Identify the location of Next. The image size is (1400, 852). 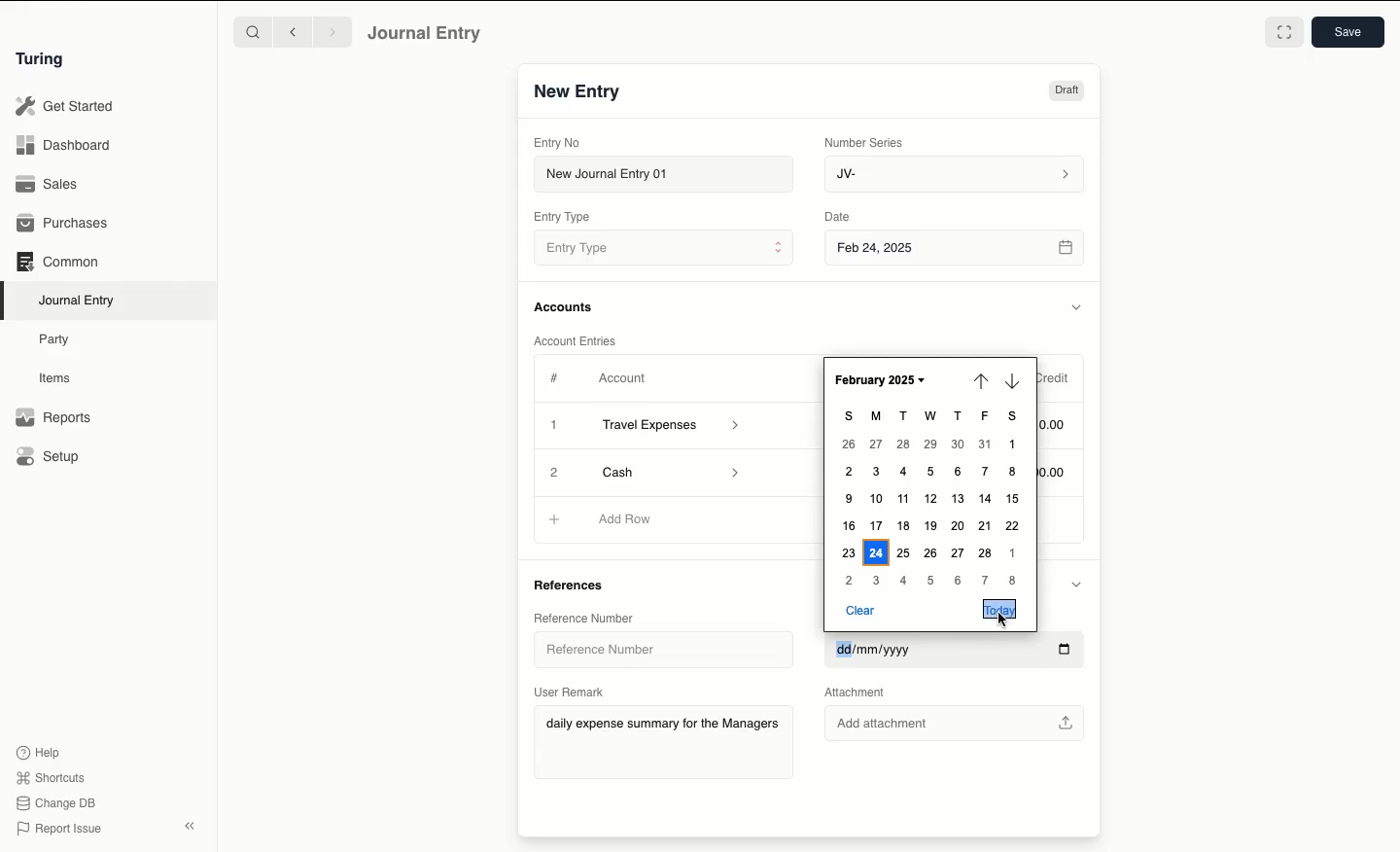
(1012, 380).